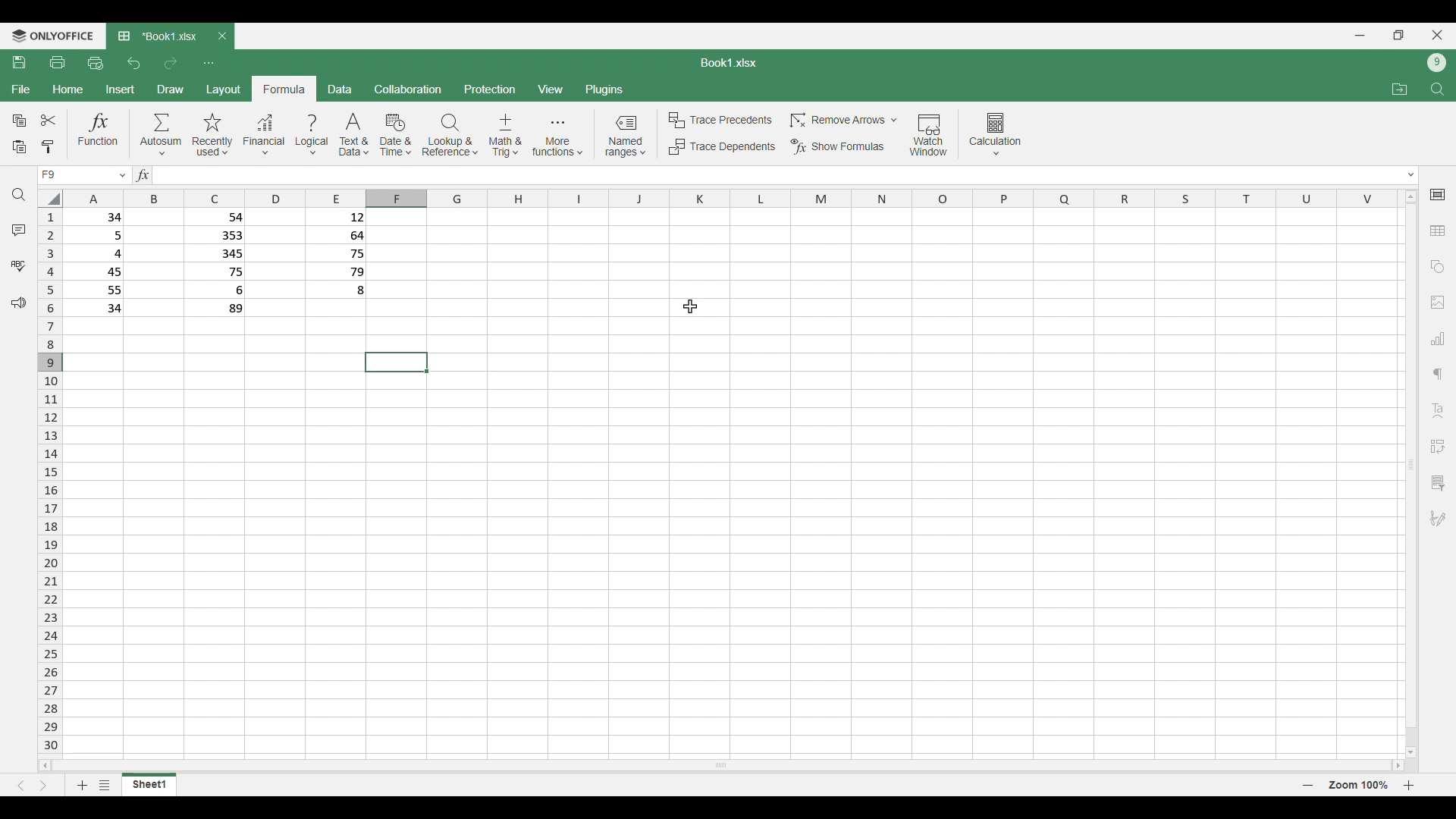  What do you see at coordinates (550, 89) in the screenshot?
I see `View menu` at bounding box center [550, 89].